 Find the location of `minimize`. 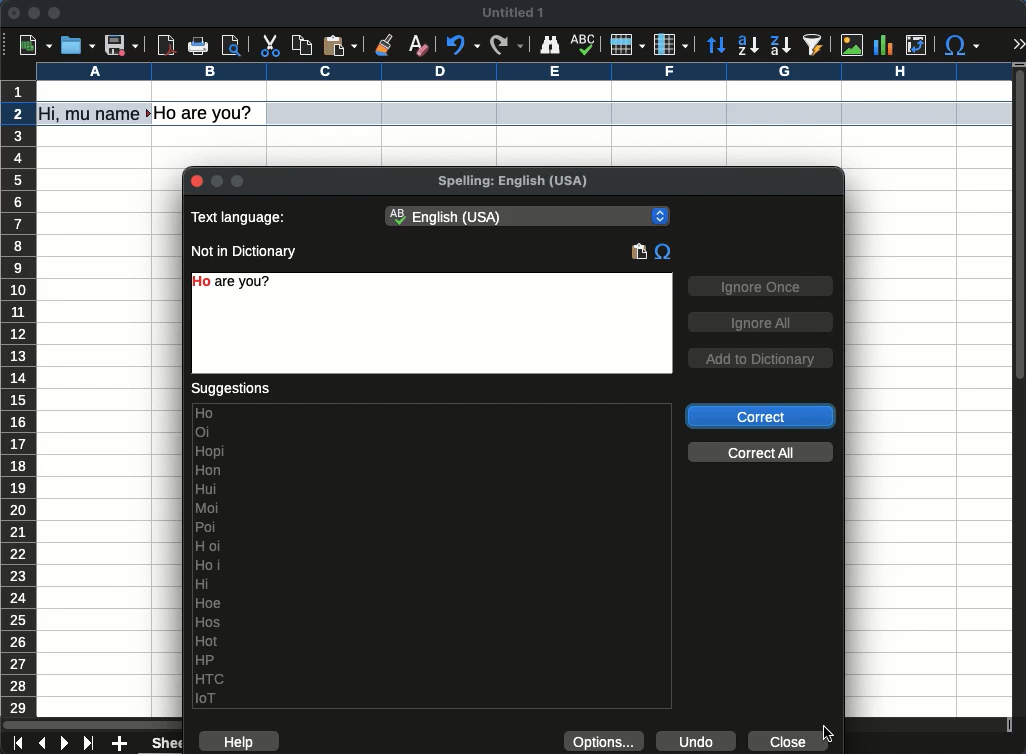

minimize is located at coordinates (33, 13).